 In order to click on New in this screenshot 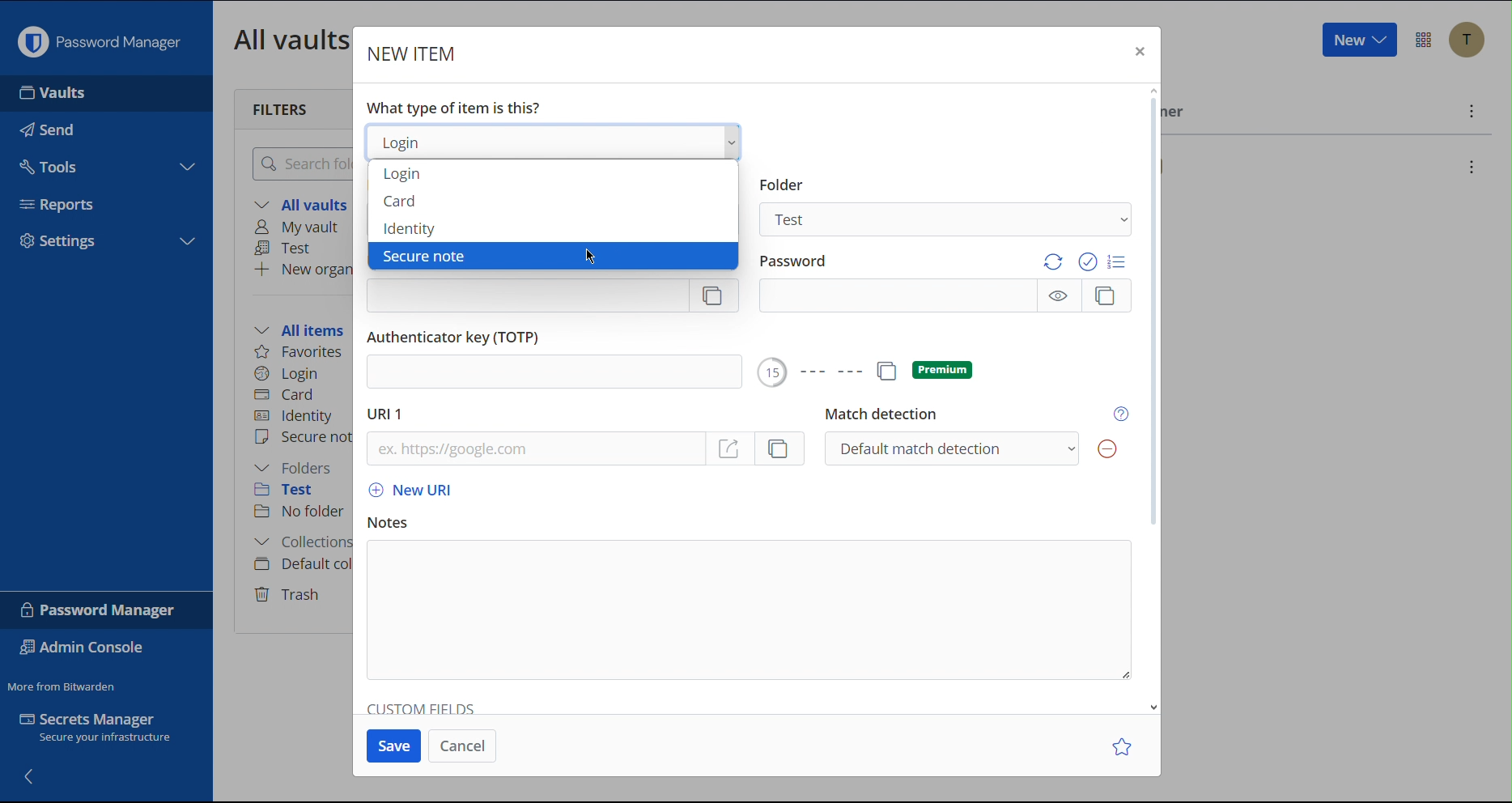, I will do `click(1358, 40)`.